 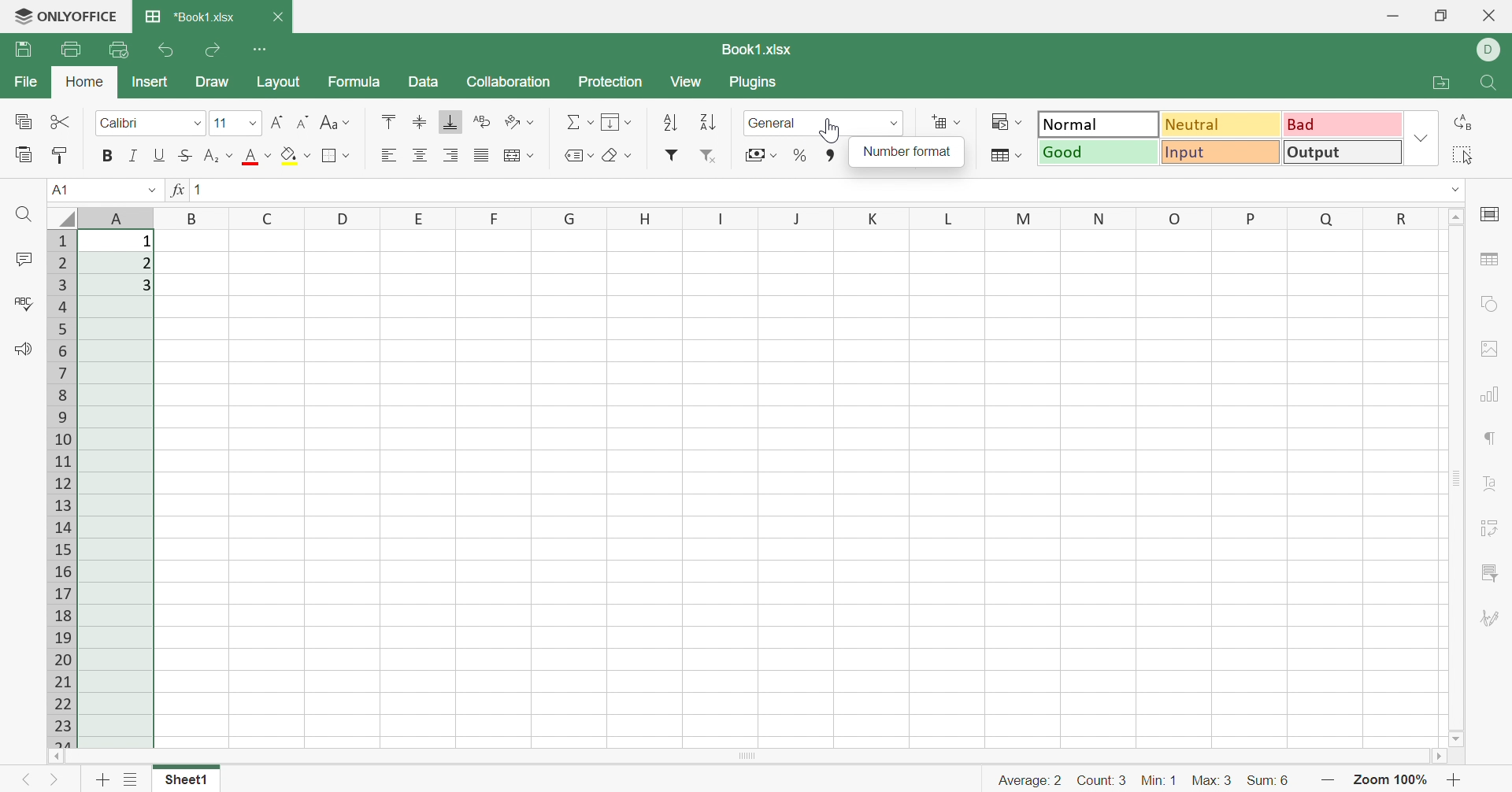 I want to click on Zoom in, so click(x=1456, y=779).